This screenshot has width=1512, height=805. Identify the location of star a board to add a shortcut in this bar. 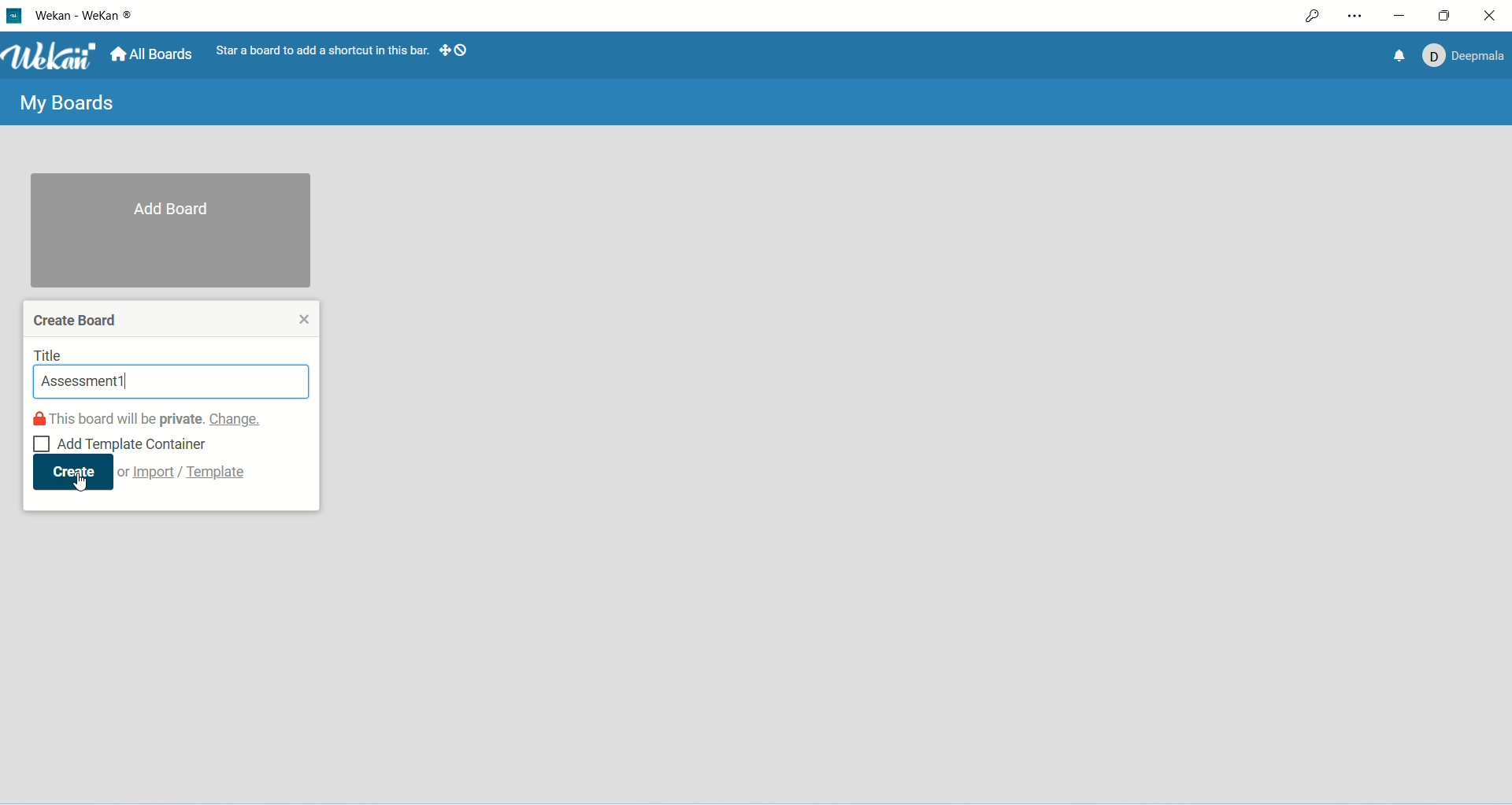
(320, 50).